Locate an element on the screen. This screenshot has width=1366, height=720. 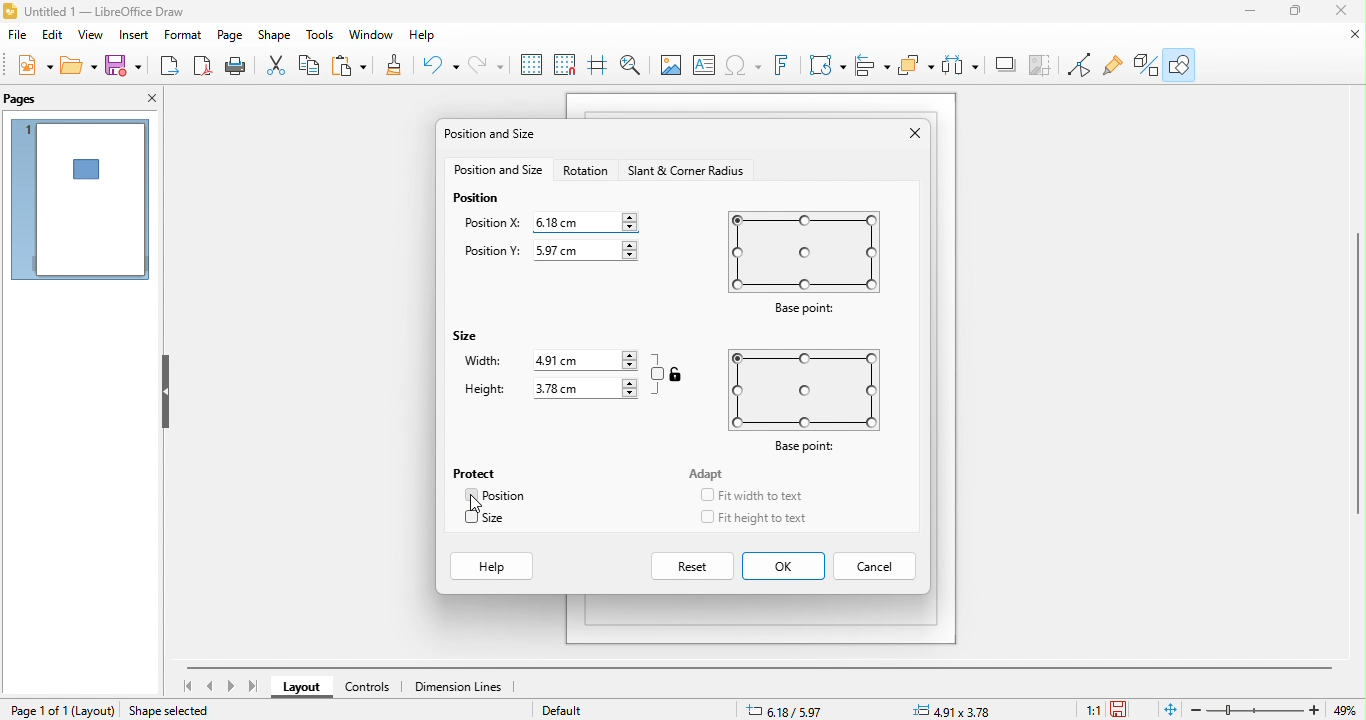
shape is located at coordinates (275, 37).